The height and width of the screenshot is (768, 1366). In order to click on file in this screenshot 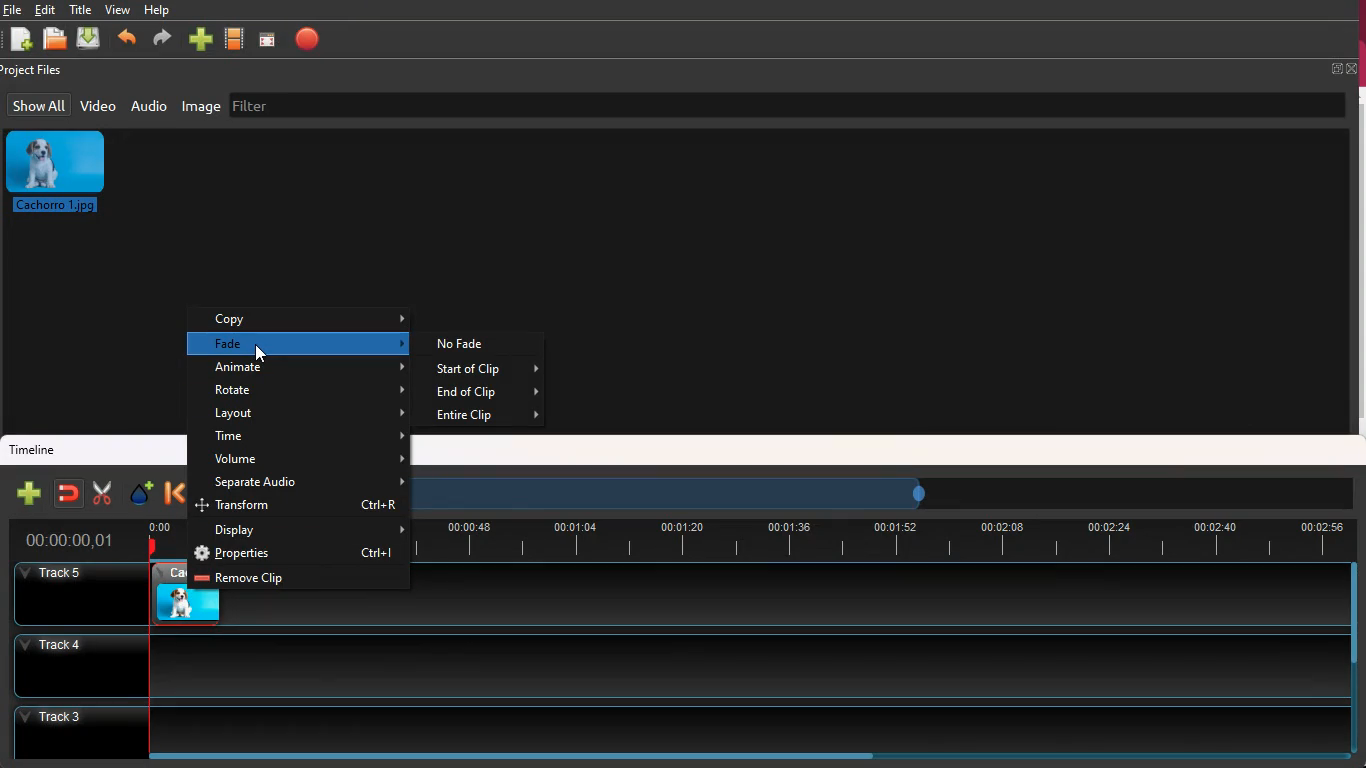, I will do `click(12, 9)`.